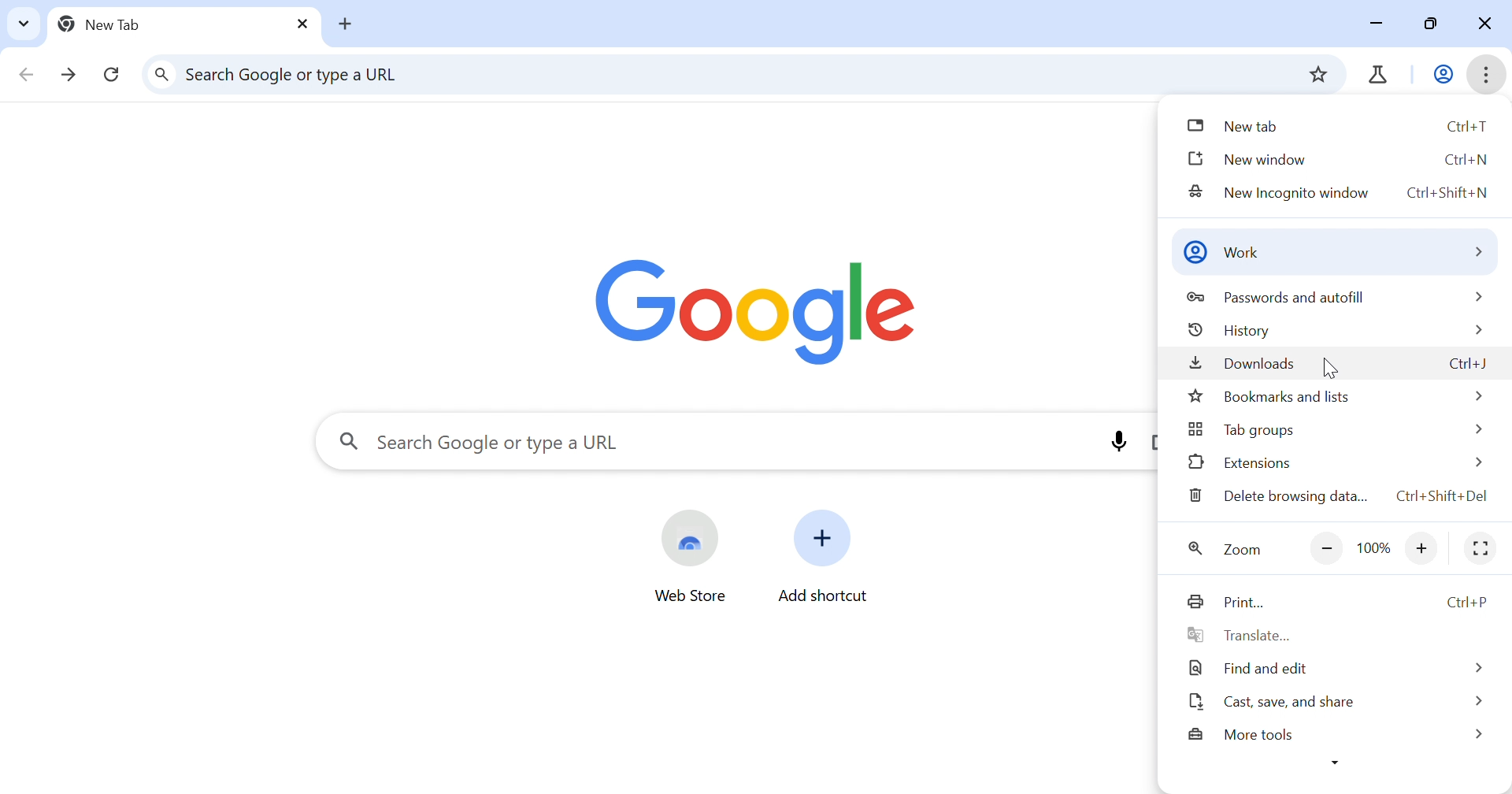 This screenshot has width=1512, height=794. I want to click on +, so click(1421, 551).